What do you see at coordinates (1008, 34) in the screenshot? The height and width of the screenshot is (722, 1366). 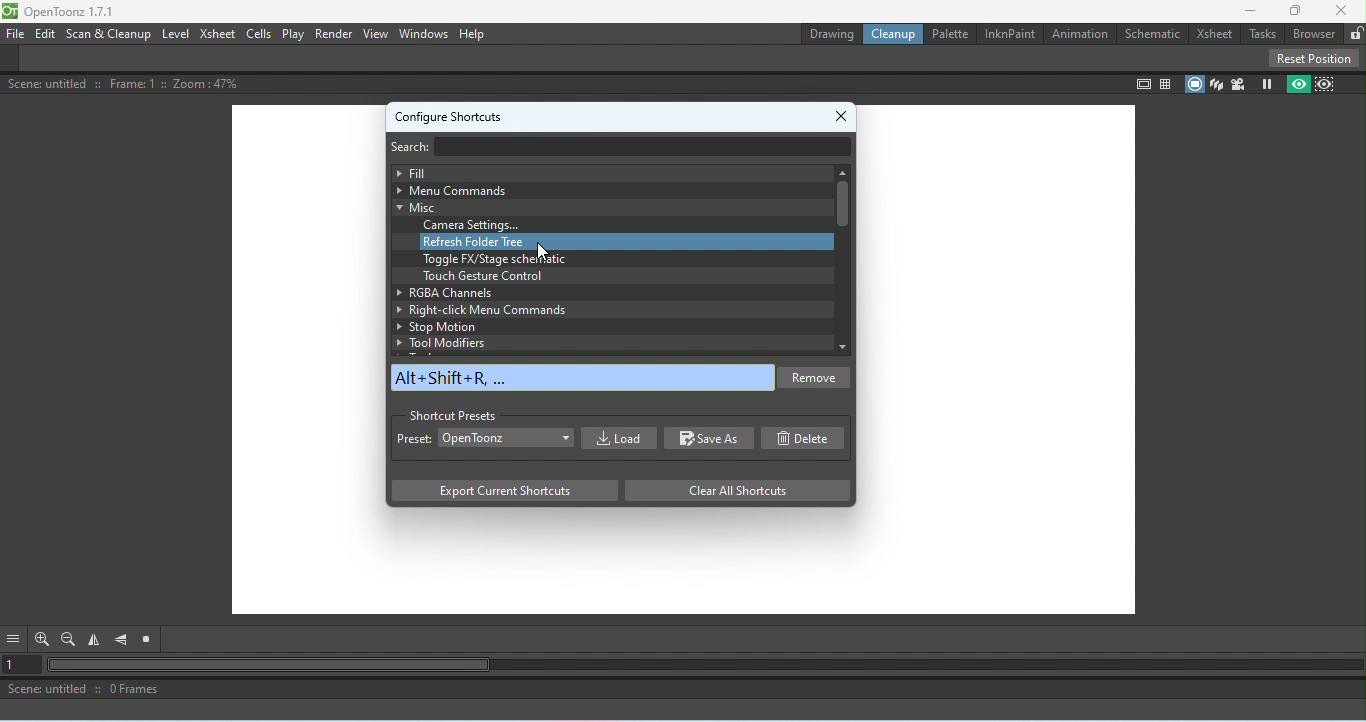 I see `InknPaint` at bounding box center [1008, 34].